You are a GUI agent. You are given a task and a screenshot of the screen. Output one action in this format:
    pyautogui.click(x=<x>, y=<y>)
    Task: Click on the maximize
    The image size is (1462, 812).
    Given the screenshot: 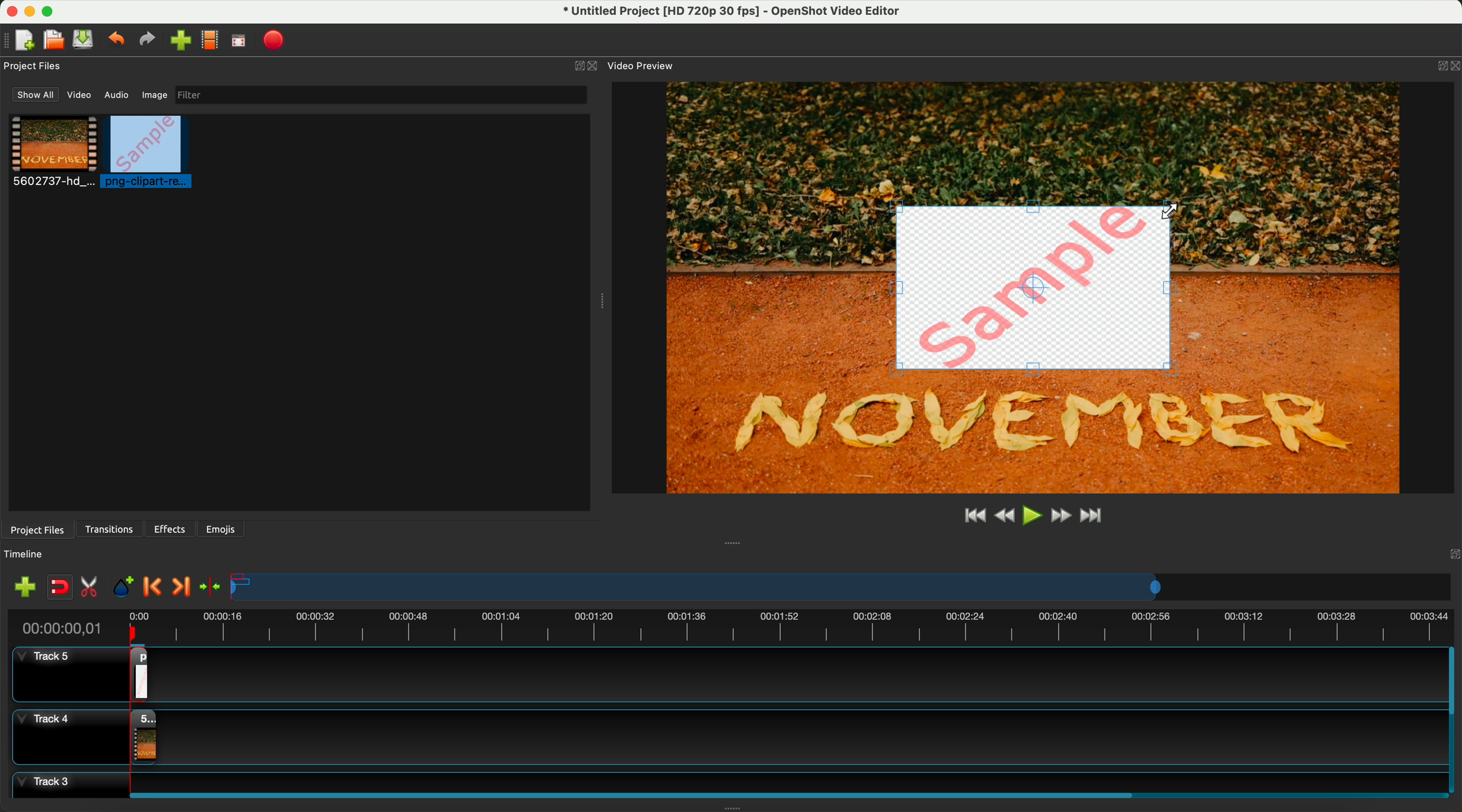 What is the action you would take?
    pyautogui.click(x=52, y=10)
    